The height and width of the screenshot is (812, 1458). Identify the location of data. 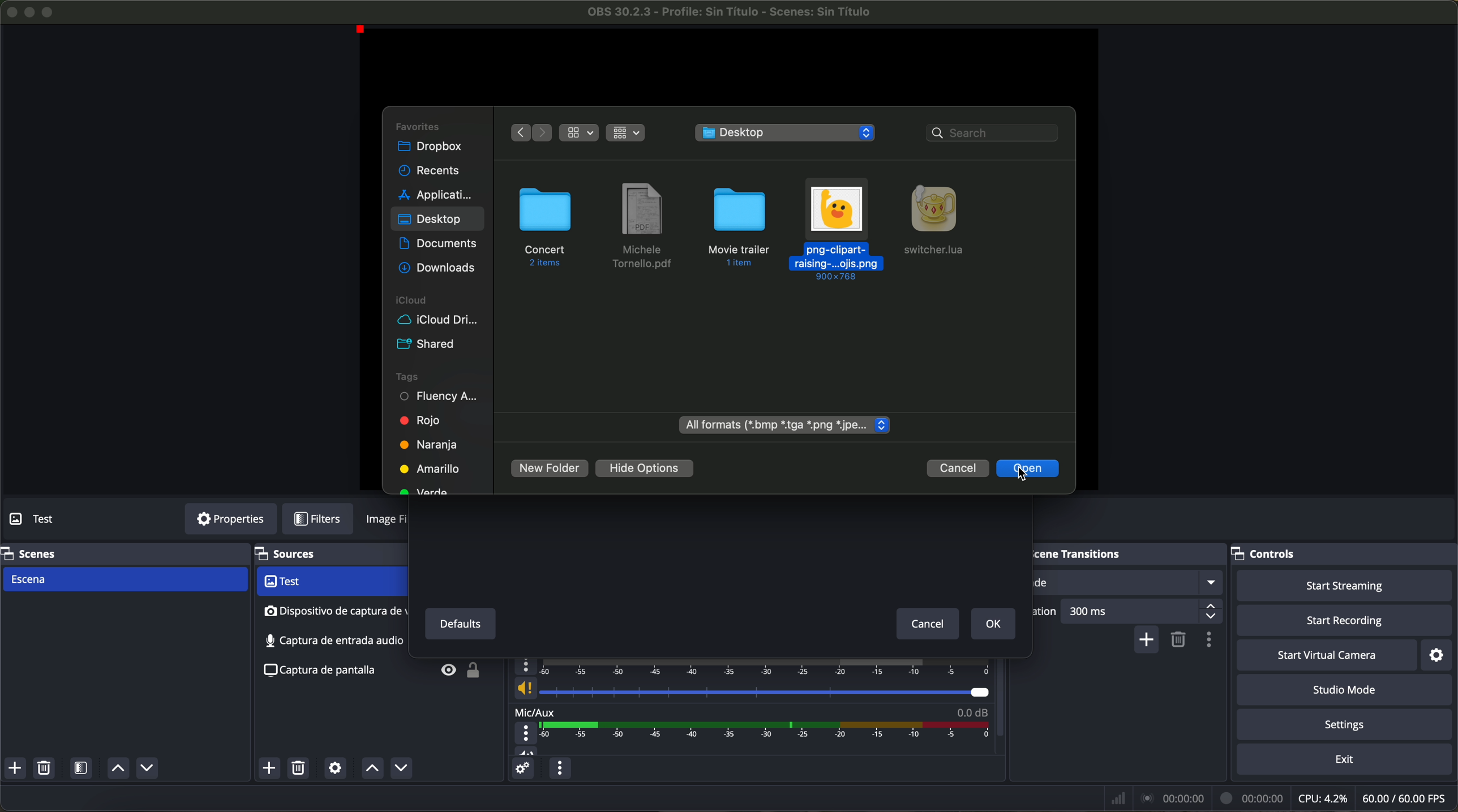
(1281, 798).